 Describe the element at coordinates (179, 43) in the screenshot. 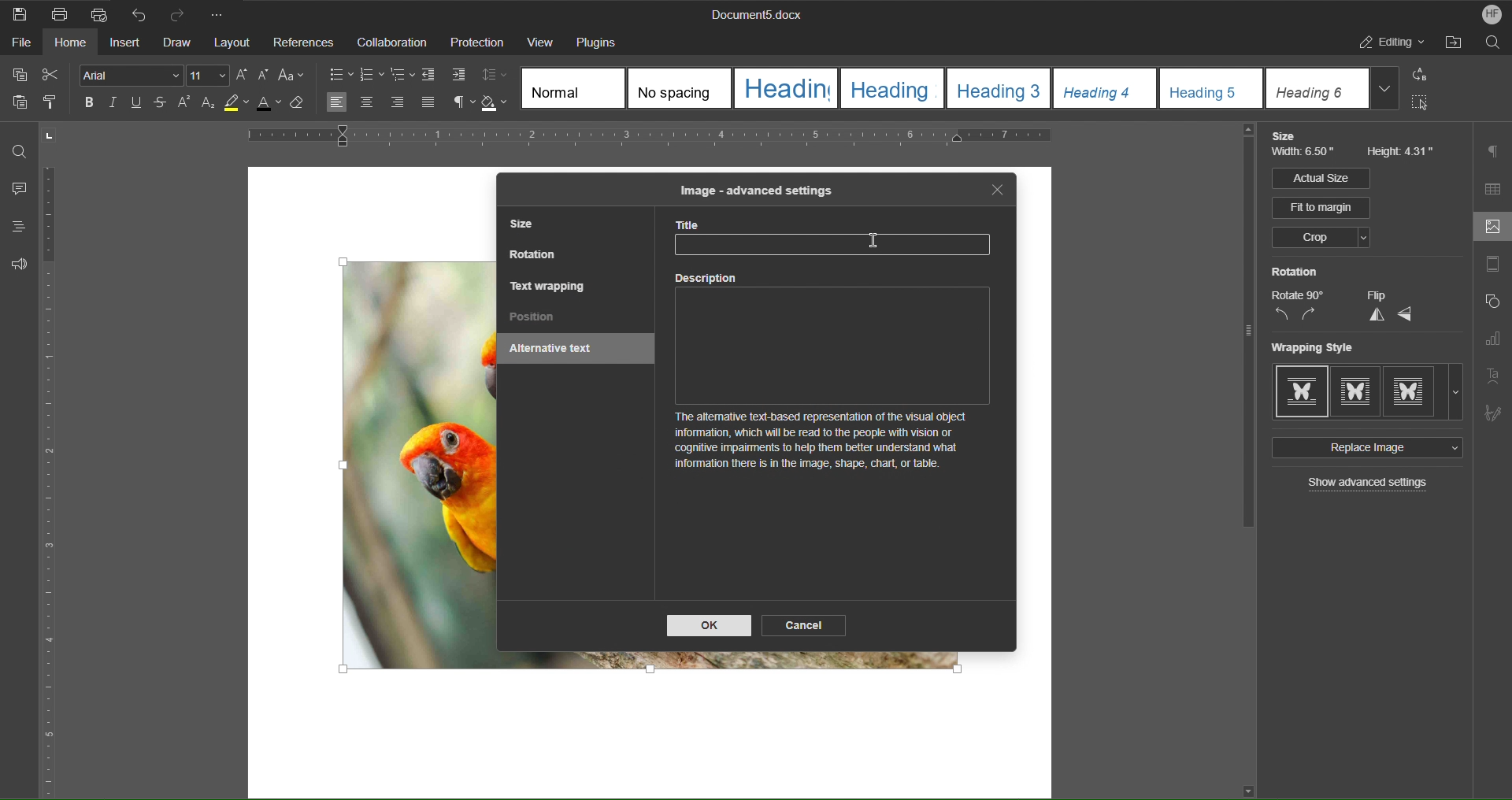

I see `Draw` at that location.